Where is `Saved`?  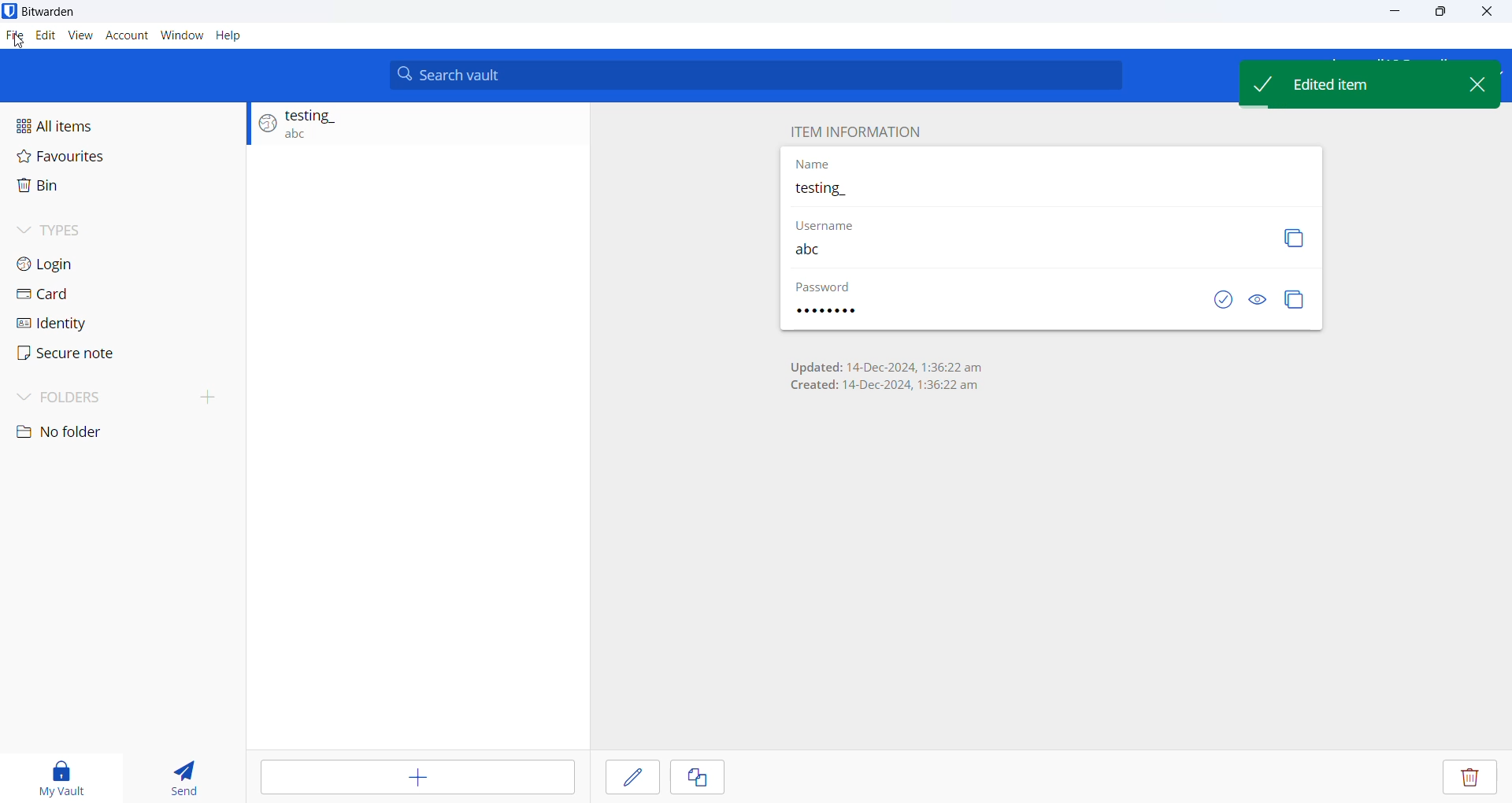
Saved is located at coordinates (1209, 301).